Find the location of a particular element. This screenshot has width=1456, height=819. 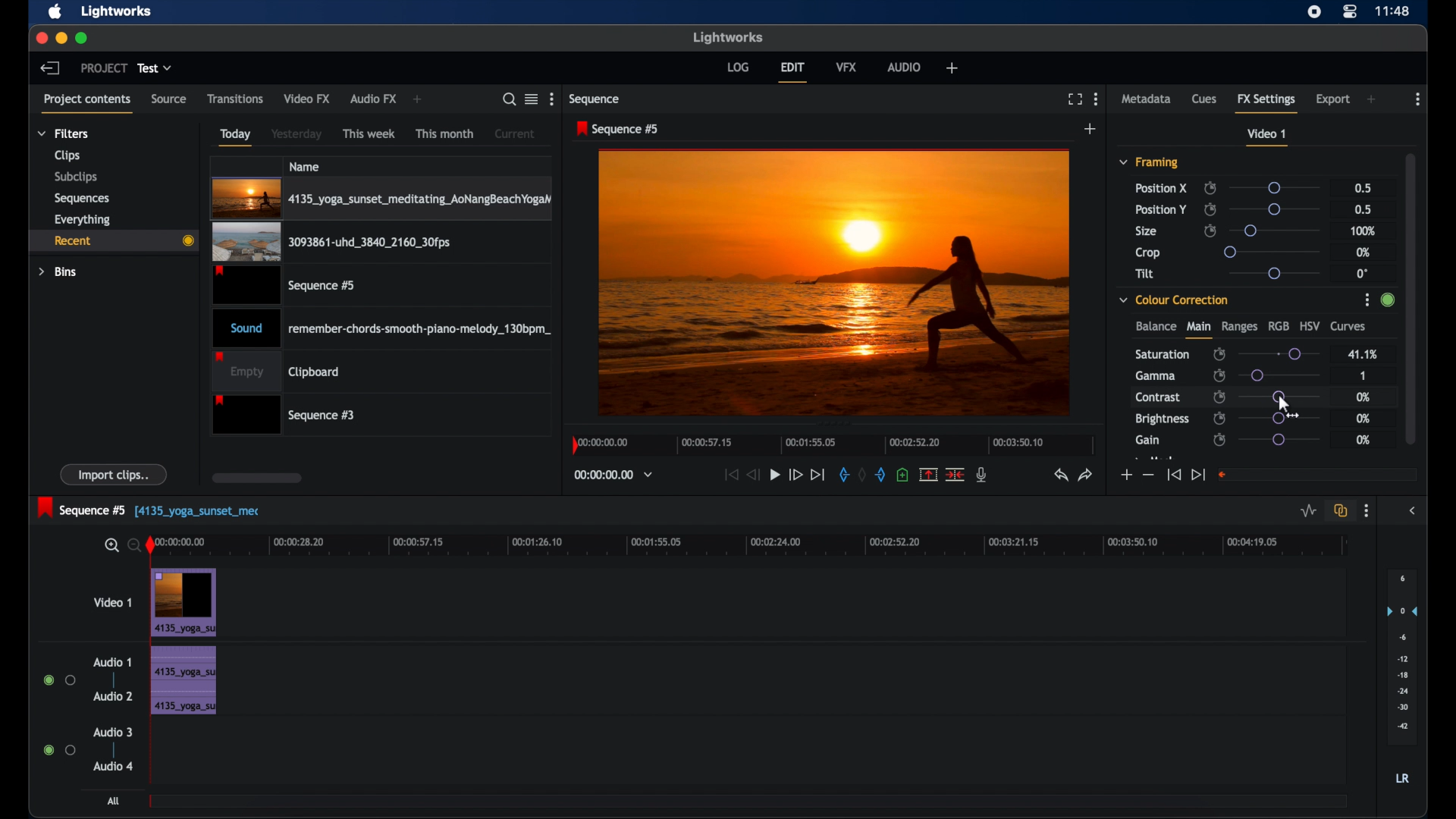

cursor is located at coordinates (1288, 408).